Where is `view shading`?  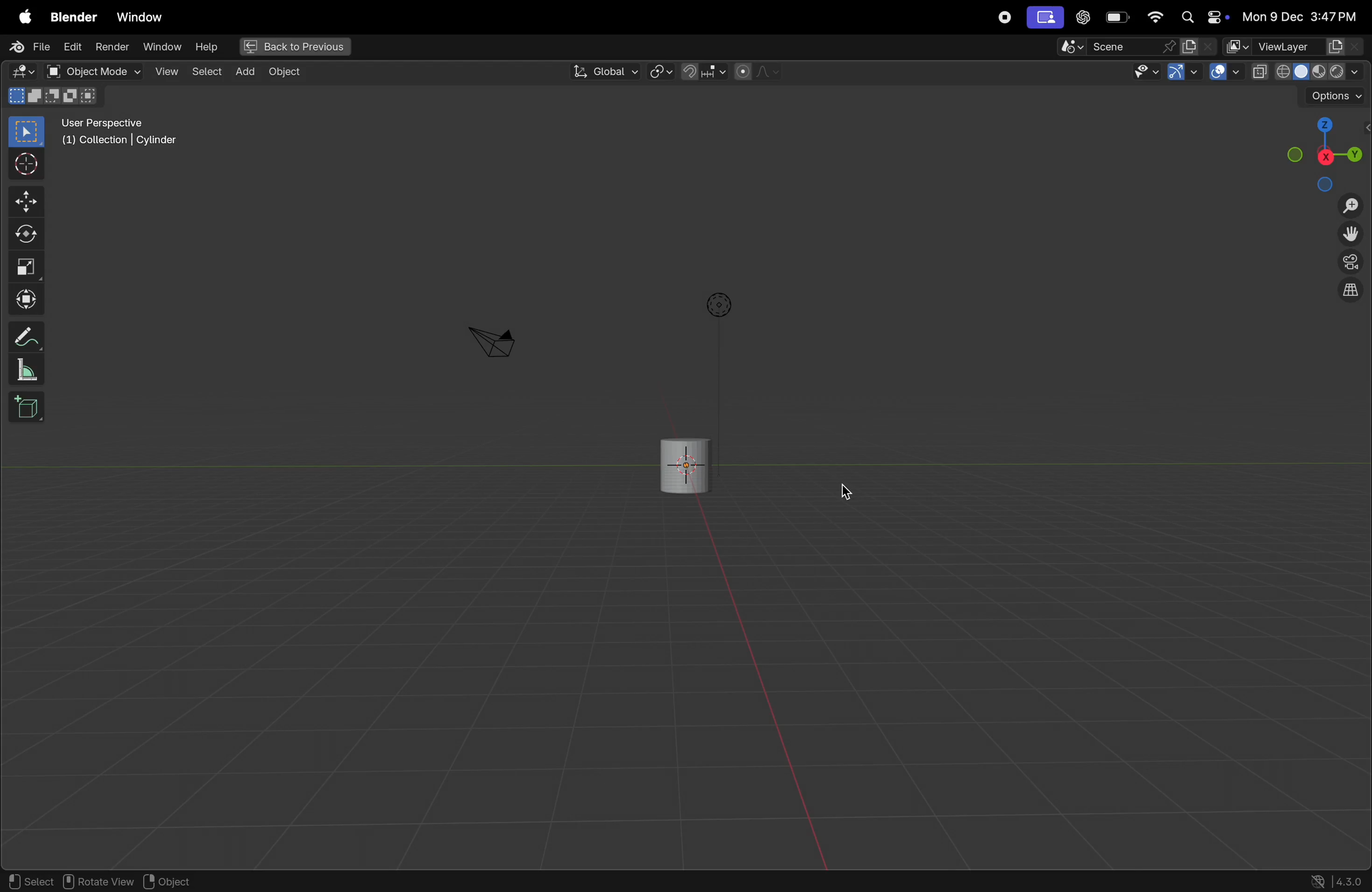
view shading is located at coordinates (1305, 71).